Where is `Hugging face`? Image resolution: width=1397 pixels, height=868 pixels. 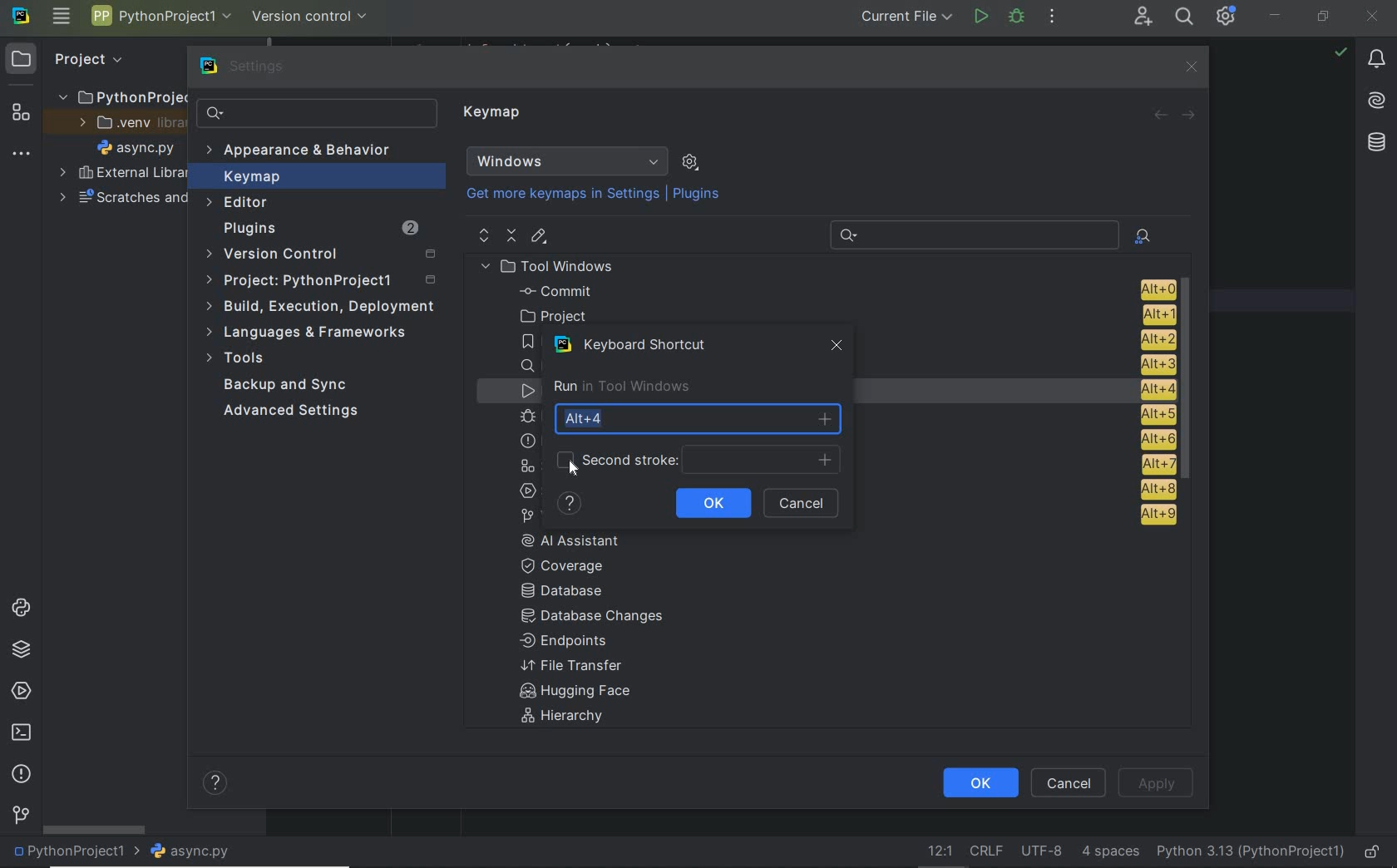
Hugging face is located at coordinates (570, 693).